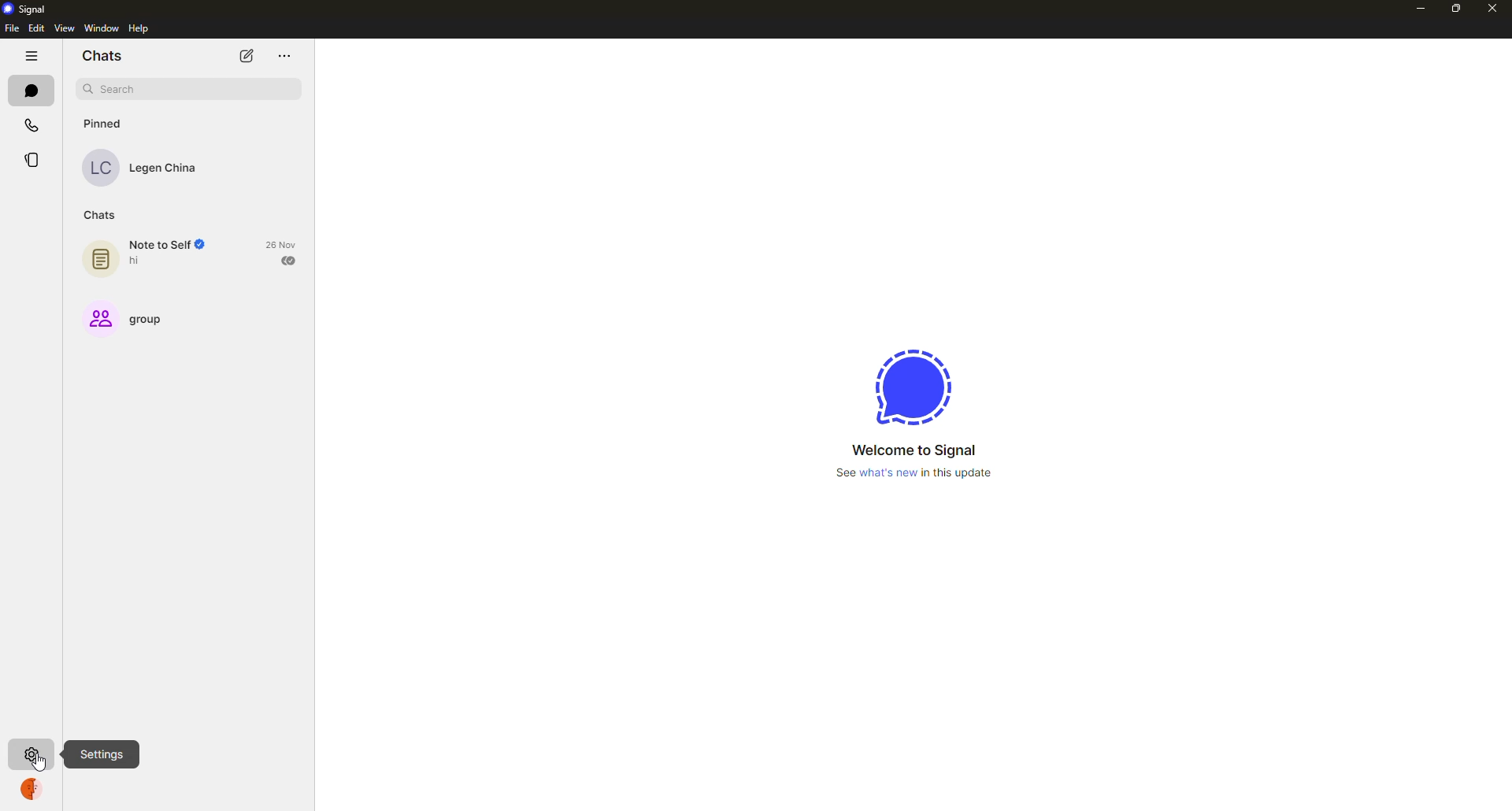 This screenshot has width=1512, height=811. Describe the element at coordinates (913, 386) in the screenshot. I see `signal` at that location.